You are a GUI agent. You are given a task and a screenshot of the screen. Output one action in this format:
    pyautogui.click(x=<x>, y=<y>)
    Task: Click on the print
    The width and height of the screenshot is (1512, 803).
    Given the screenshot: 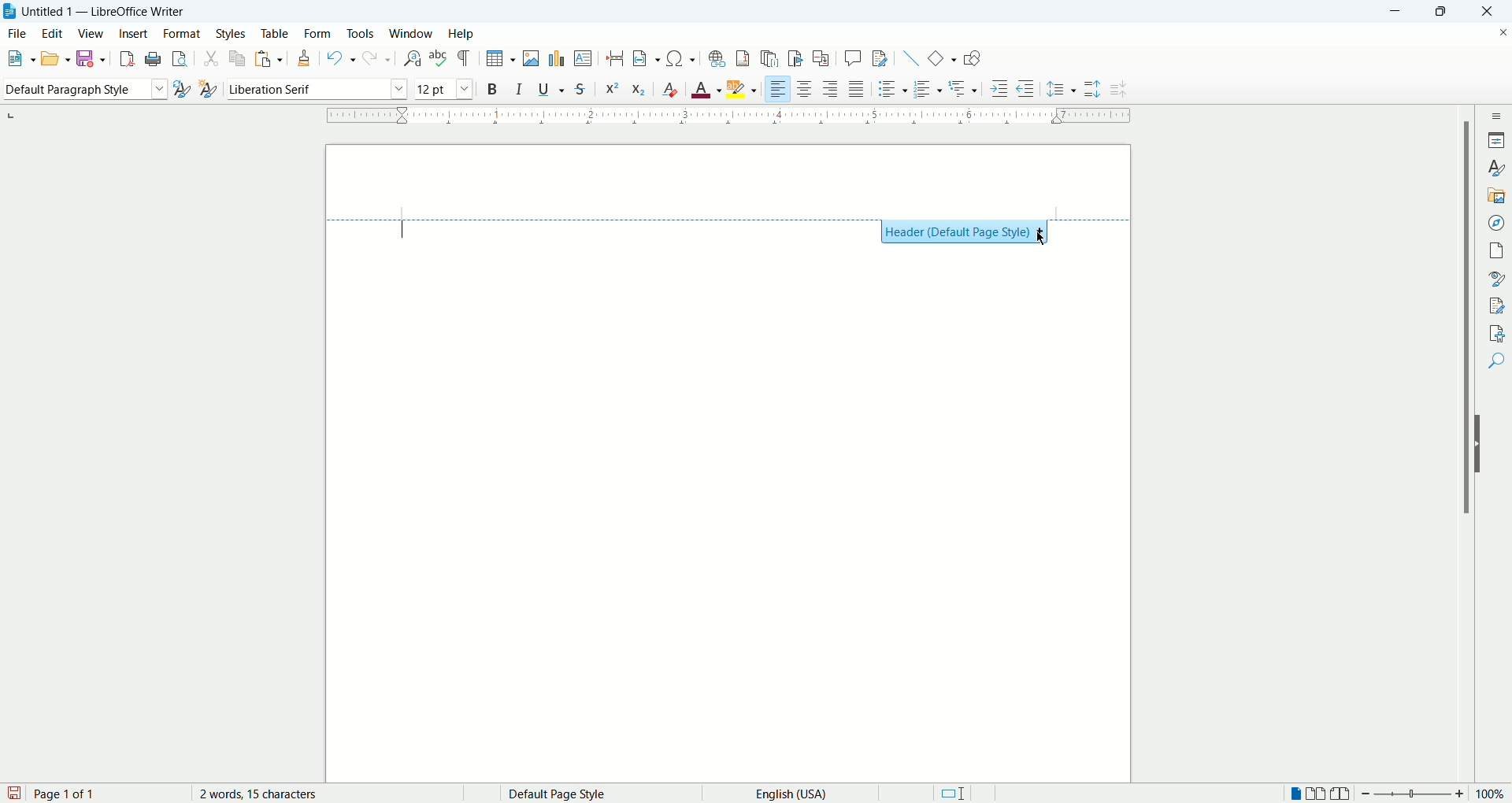 What is the action you would take?
    pyautogui.click(x=154, y=58)
    